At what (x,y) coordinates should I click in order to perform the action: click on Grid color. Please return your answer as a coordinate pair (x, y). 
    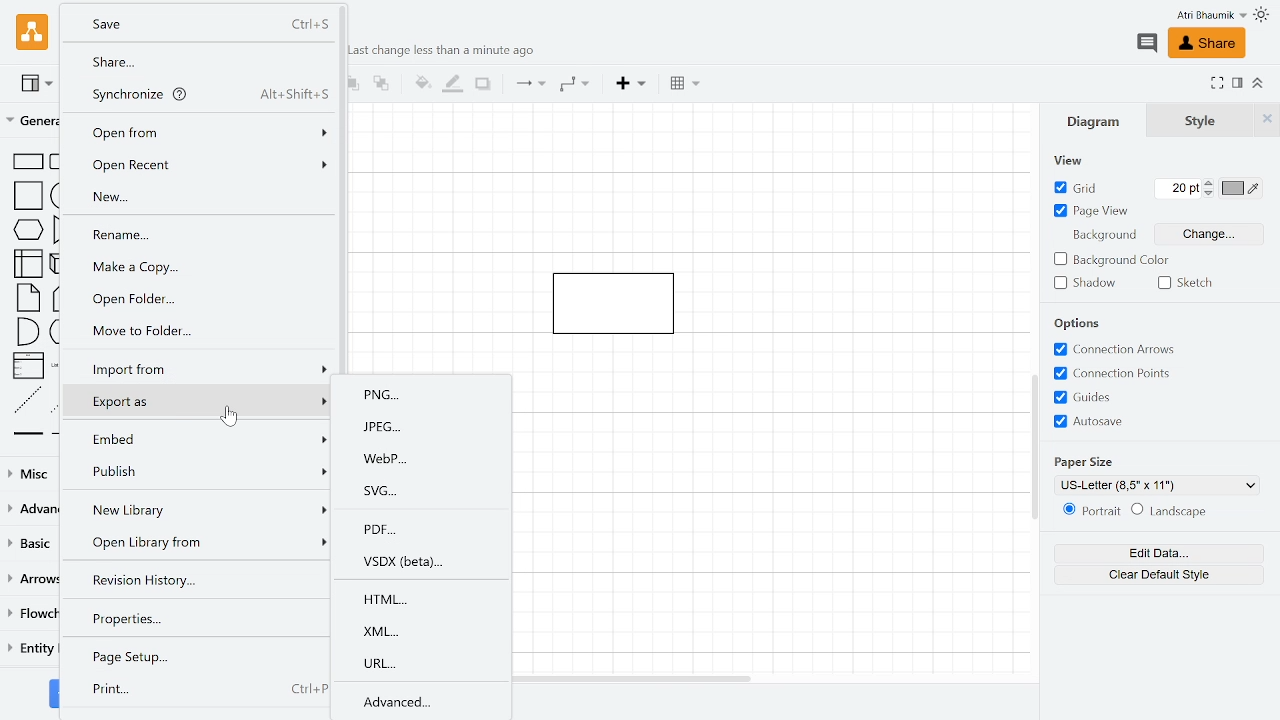
    Looking at the image, I should click on (1240, 188).